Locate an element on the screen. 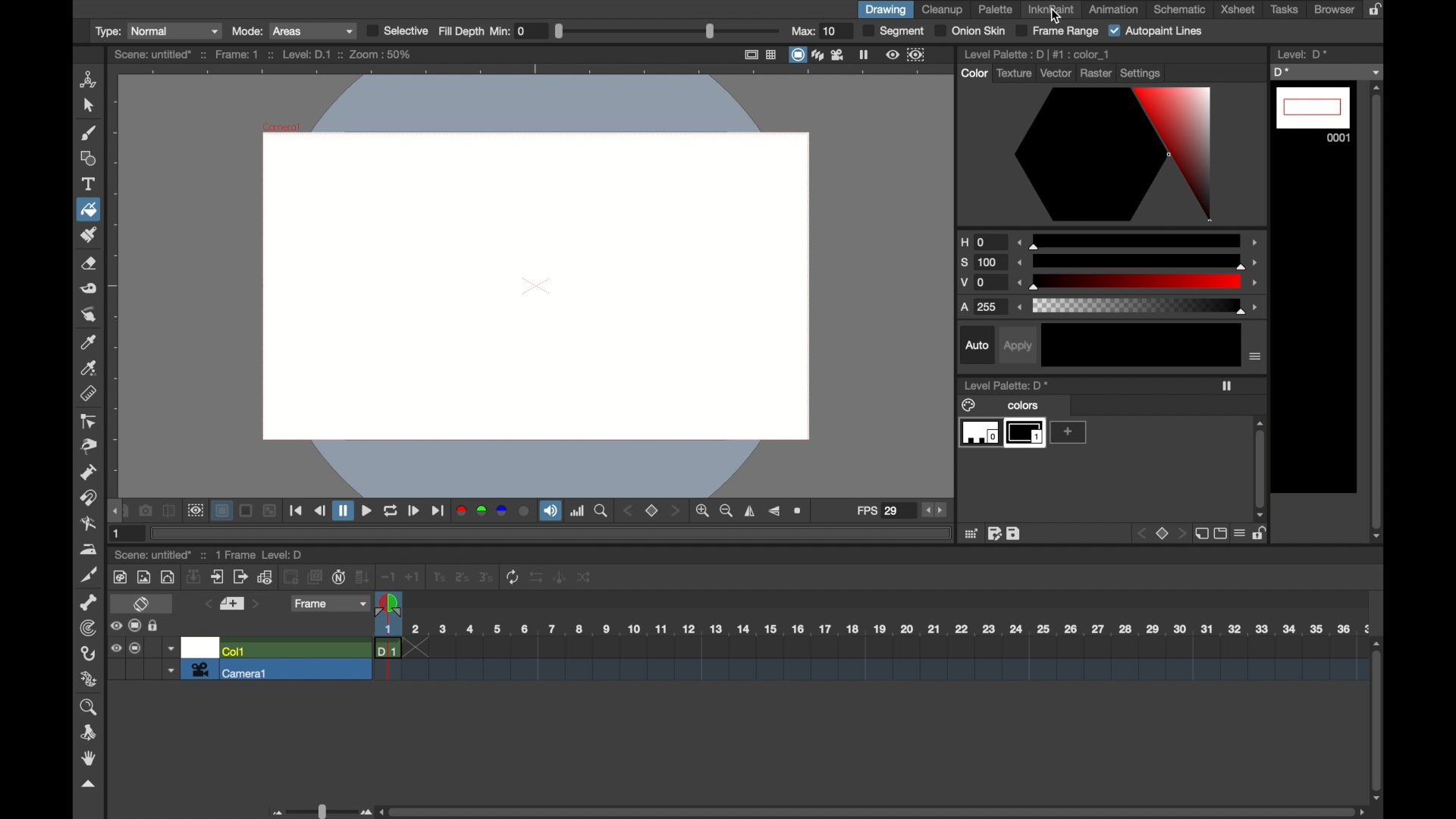 This screenshot has height=819, width=1456. layers is located at coordinates (817, 54).